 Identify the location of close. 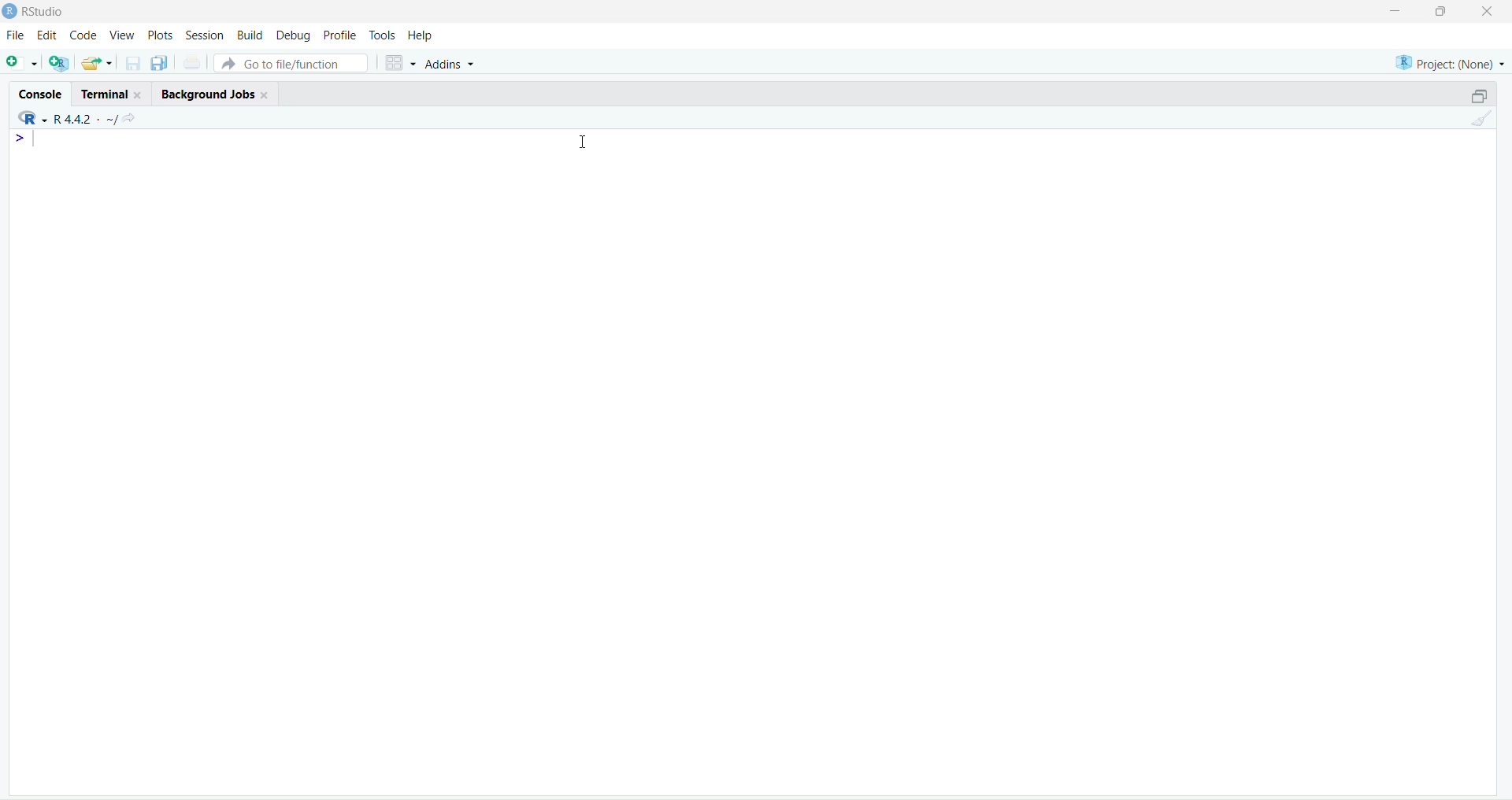
(265, 94).